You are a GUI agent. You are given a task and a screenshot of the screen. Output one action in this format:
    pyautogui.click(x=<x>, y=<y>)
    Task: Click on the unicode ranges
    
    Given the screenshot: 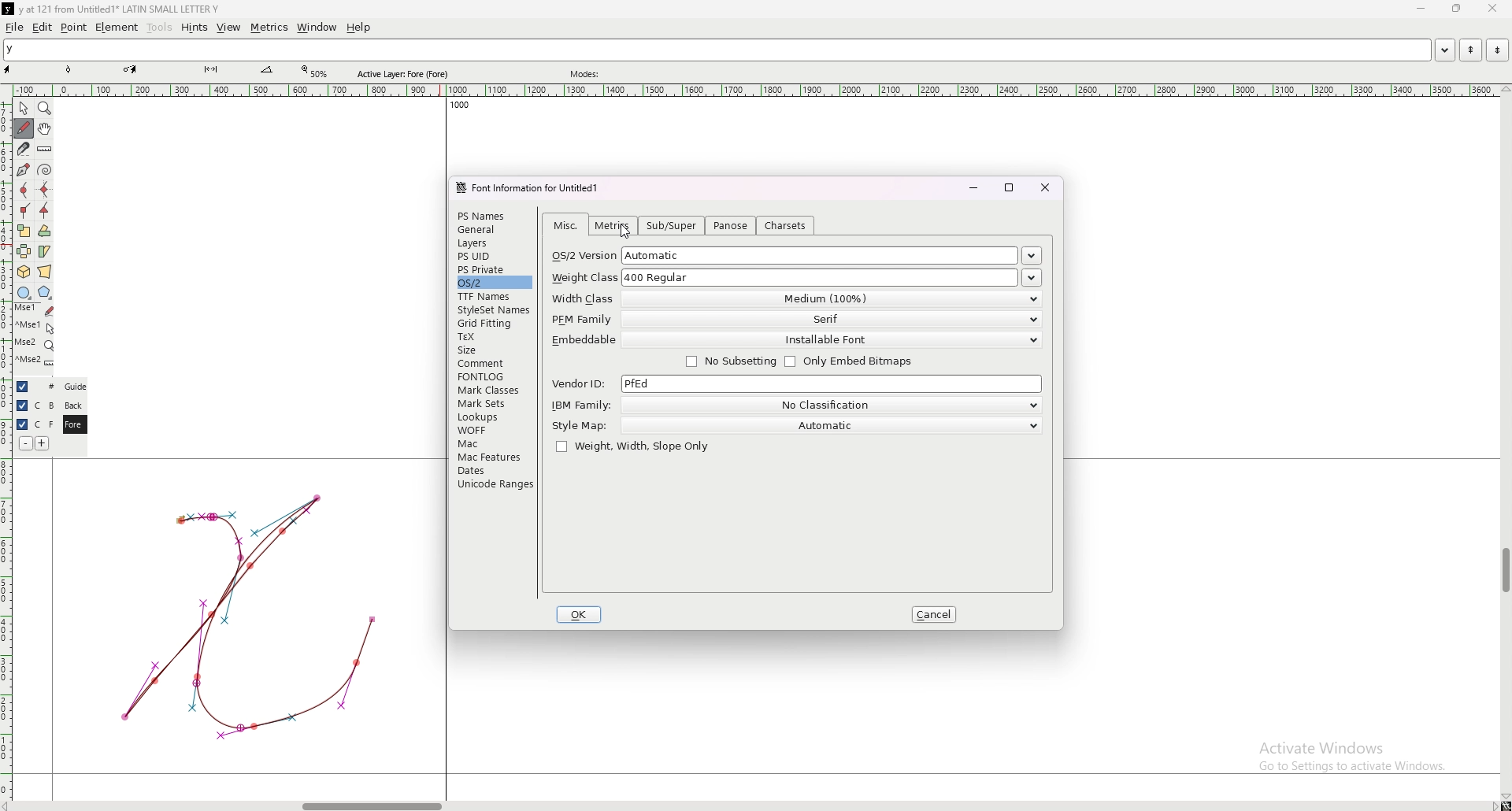 What is the action you would take?
    pyautogui.click(x=494, y=483)
    